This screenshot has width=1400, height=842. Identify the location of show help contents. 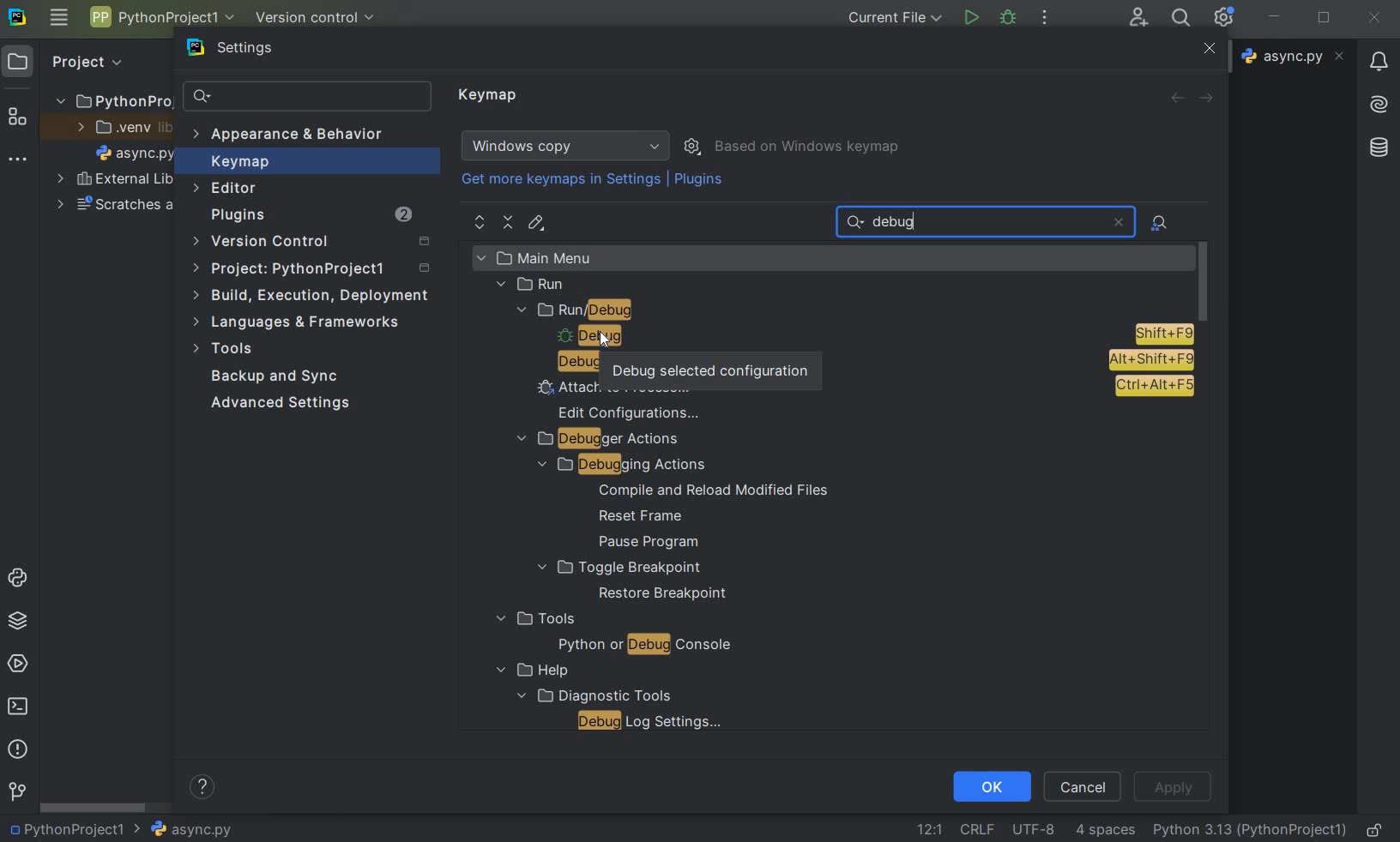
(202, 790).